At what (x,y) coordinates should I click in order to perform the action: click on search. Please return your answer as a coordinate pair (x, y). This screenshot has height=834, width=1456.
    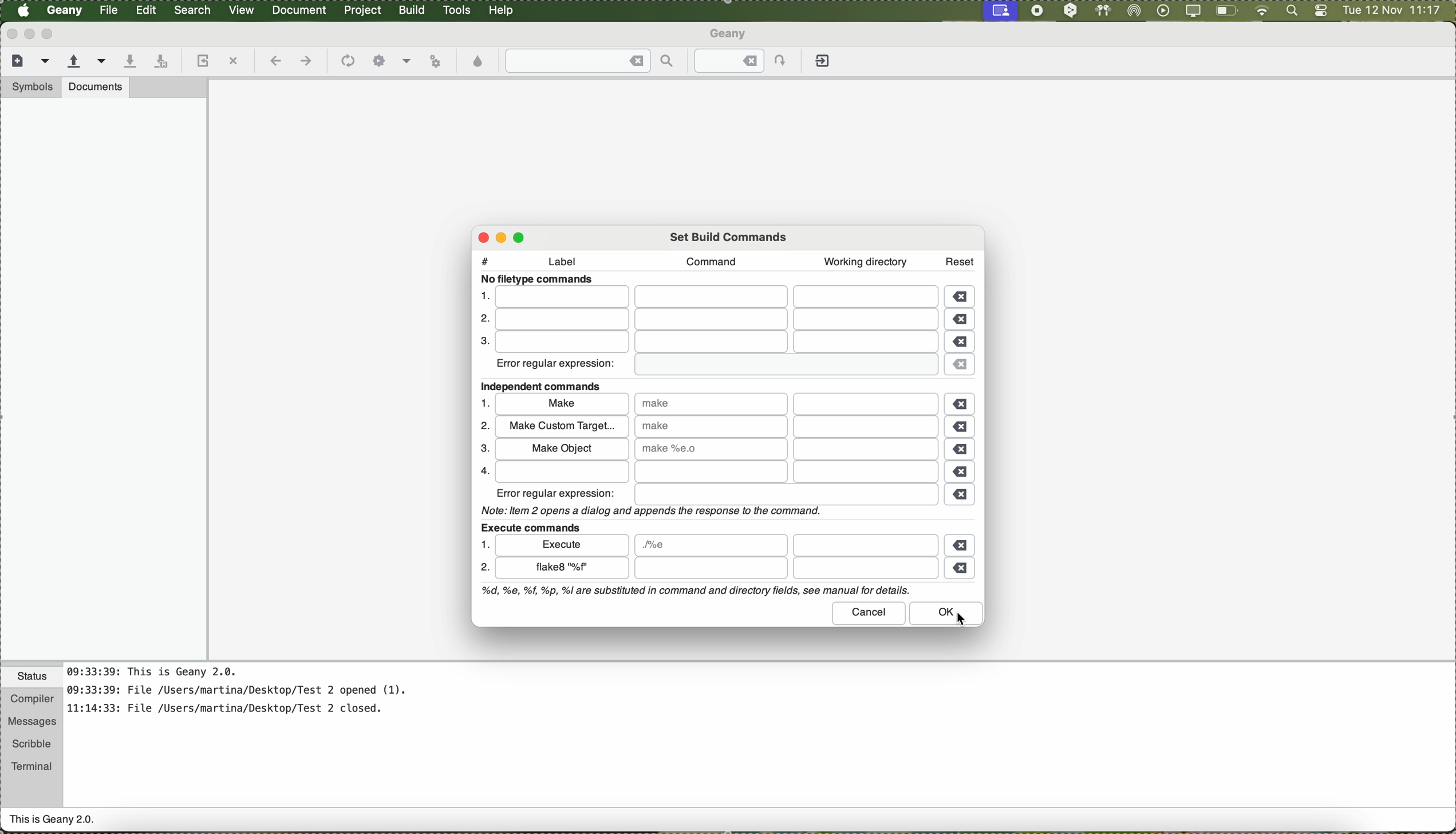
    Looking at the image, I should click on (194, 10).